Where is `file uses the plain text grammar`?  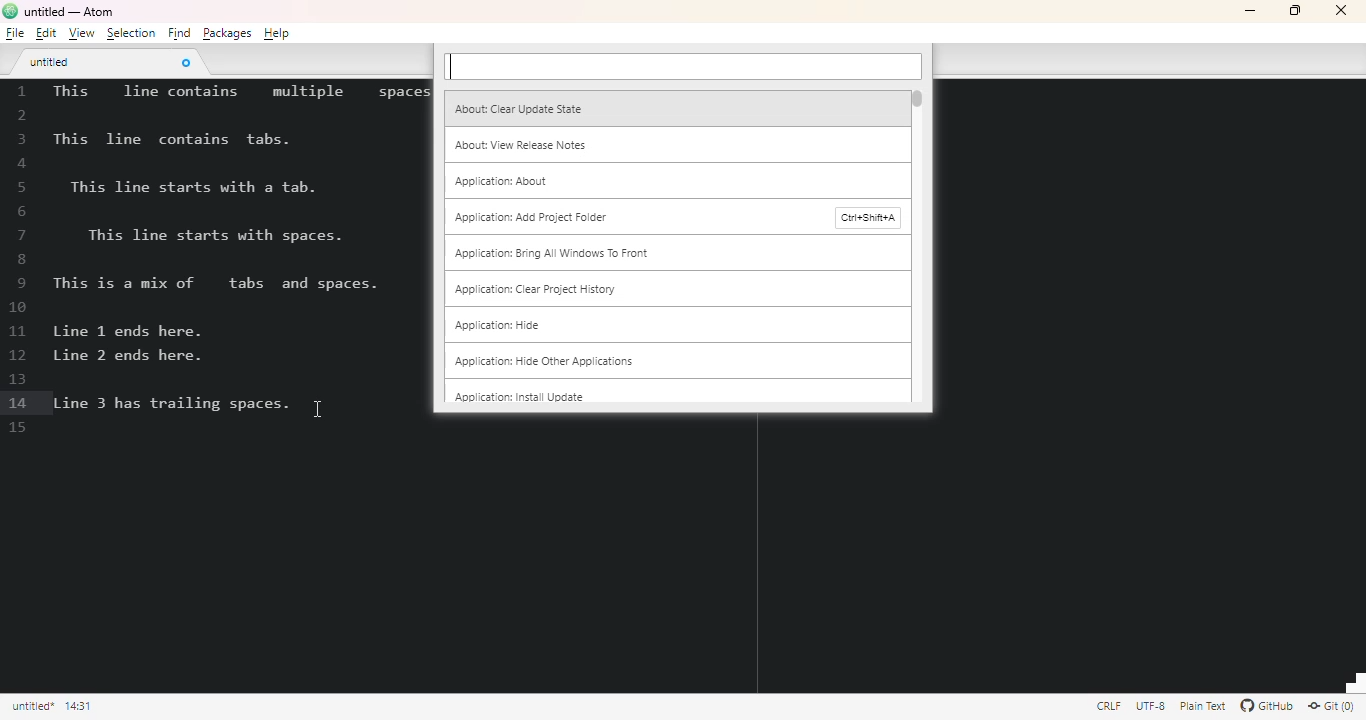
file uses the plain text grammar is located at coordinates (1205, 706).